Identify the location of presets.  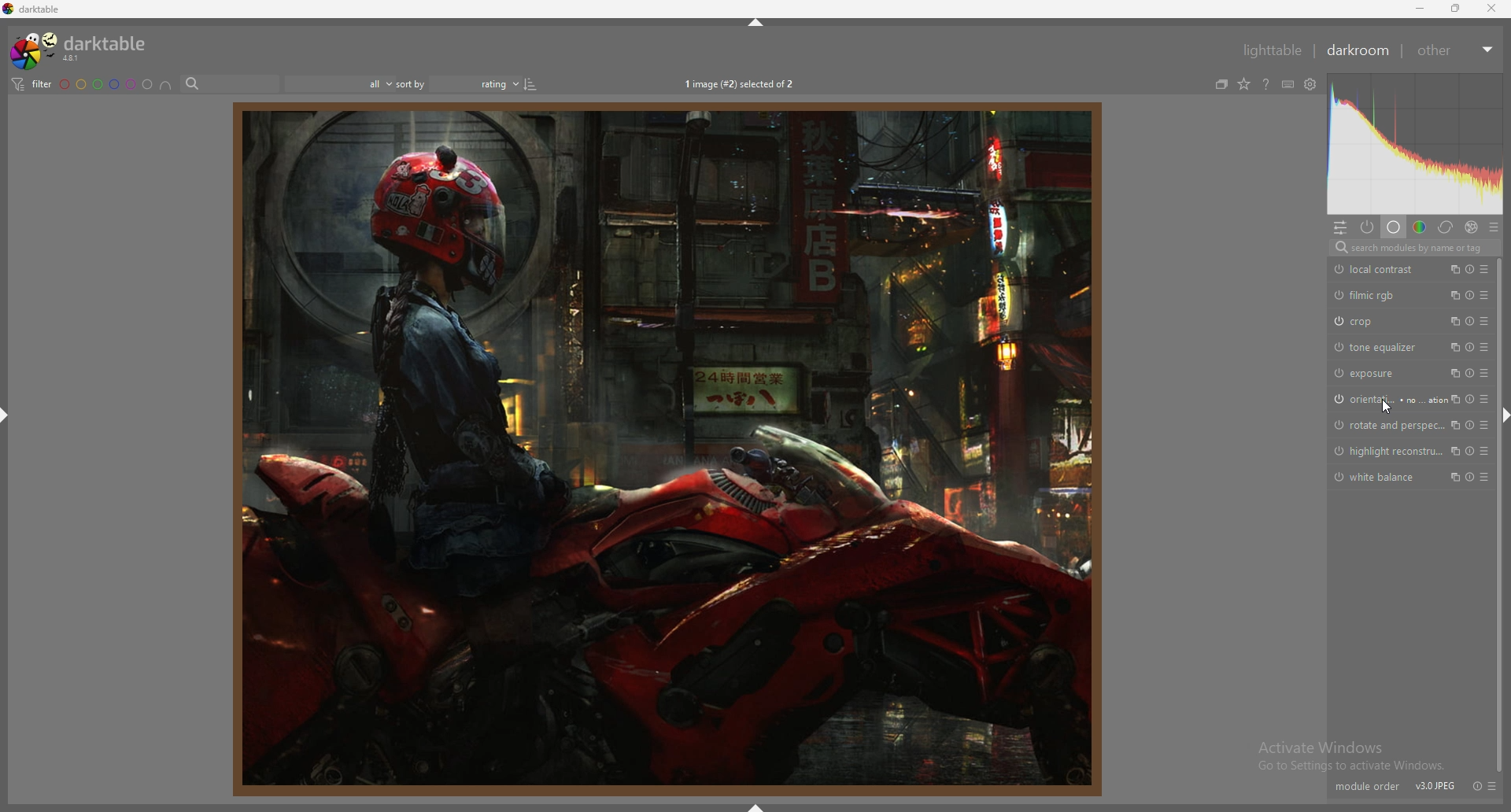
(1488, 269).